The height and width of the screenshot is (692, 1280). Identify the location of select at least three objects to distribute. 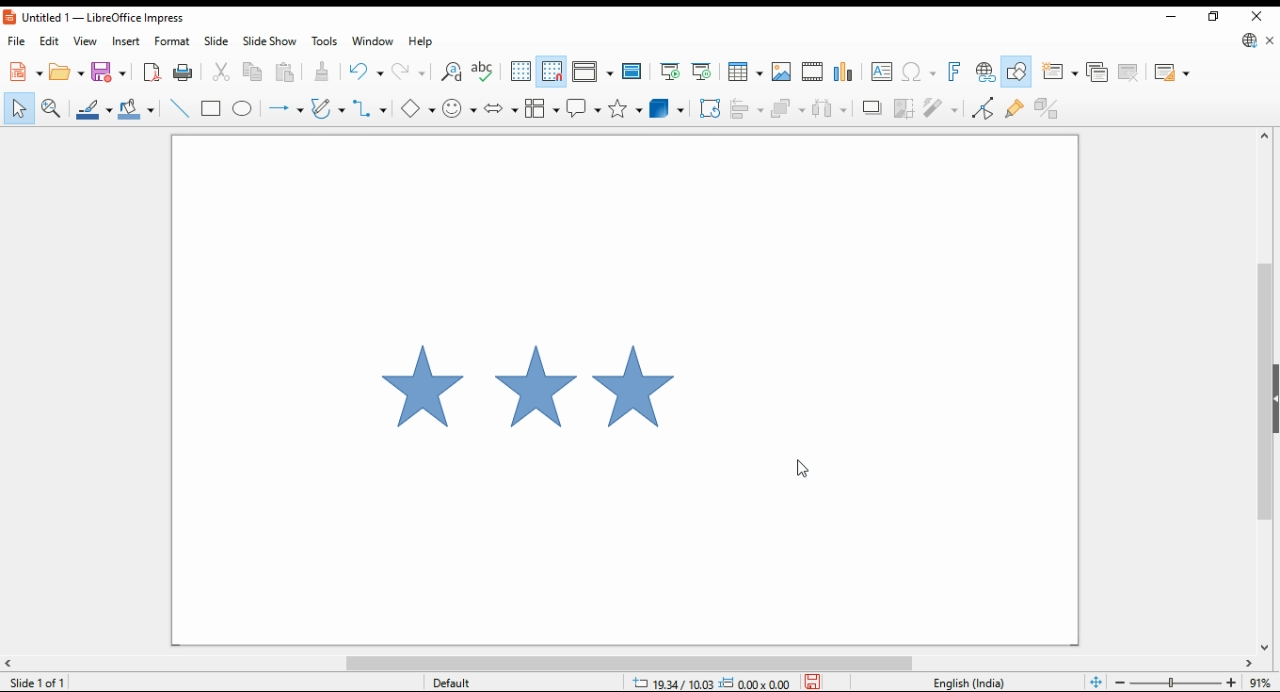
(831, 107).